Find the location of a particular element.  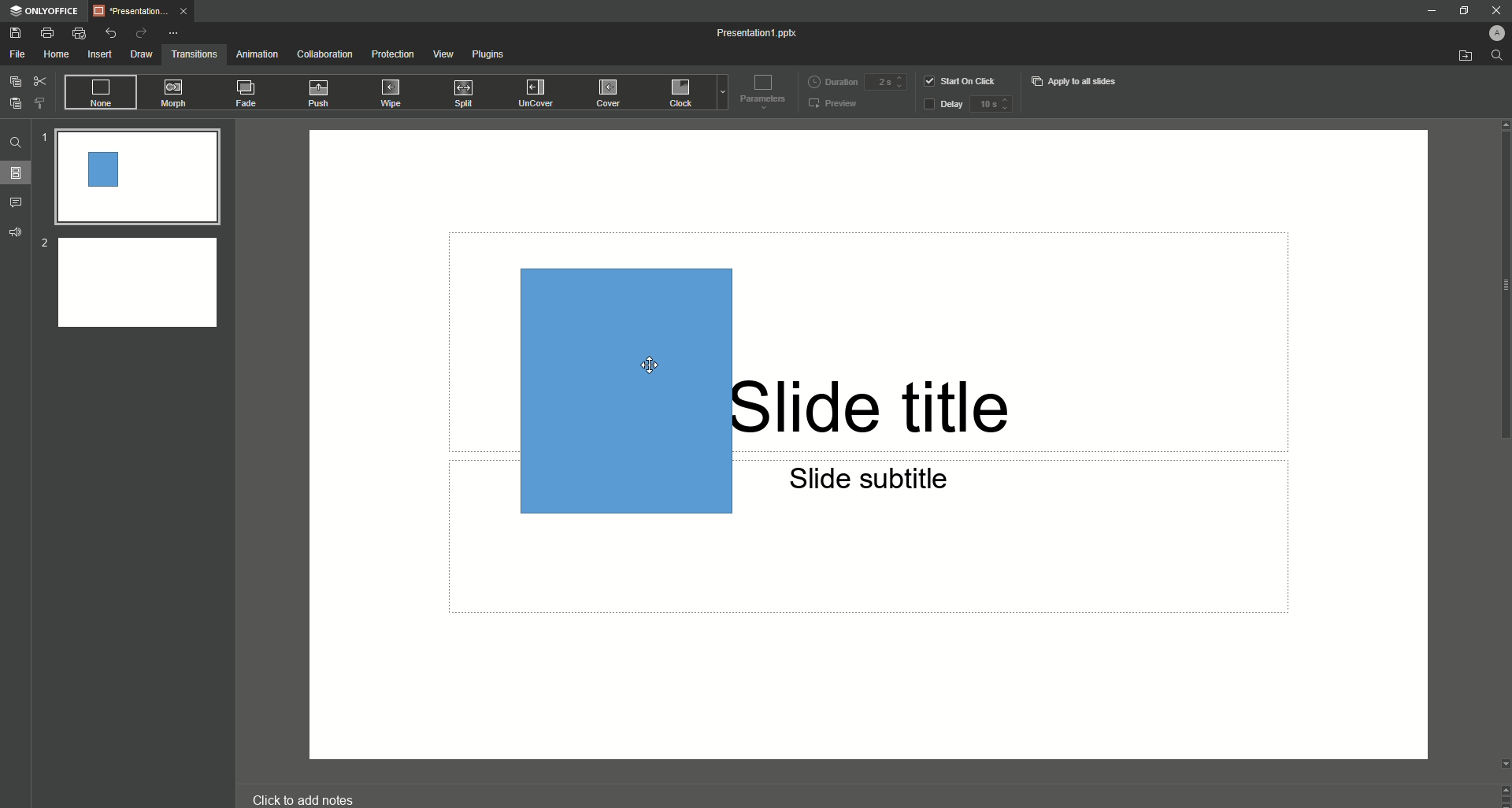

File is located at coordinates (17, 54).